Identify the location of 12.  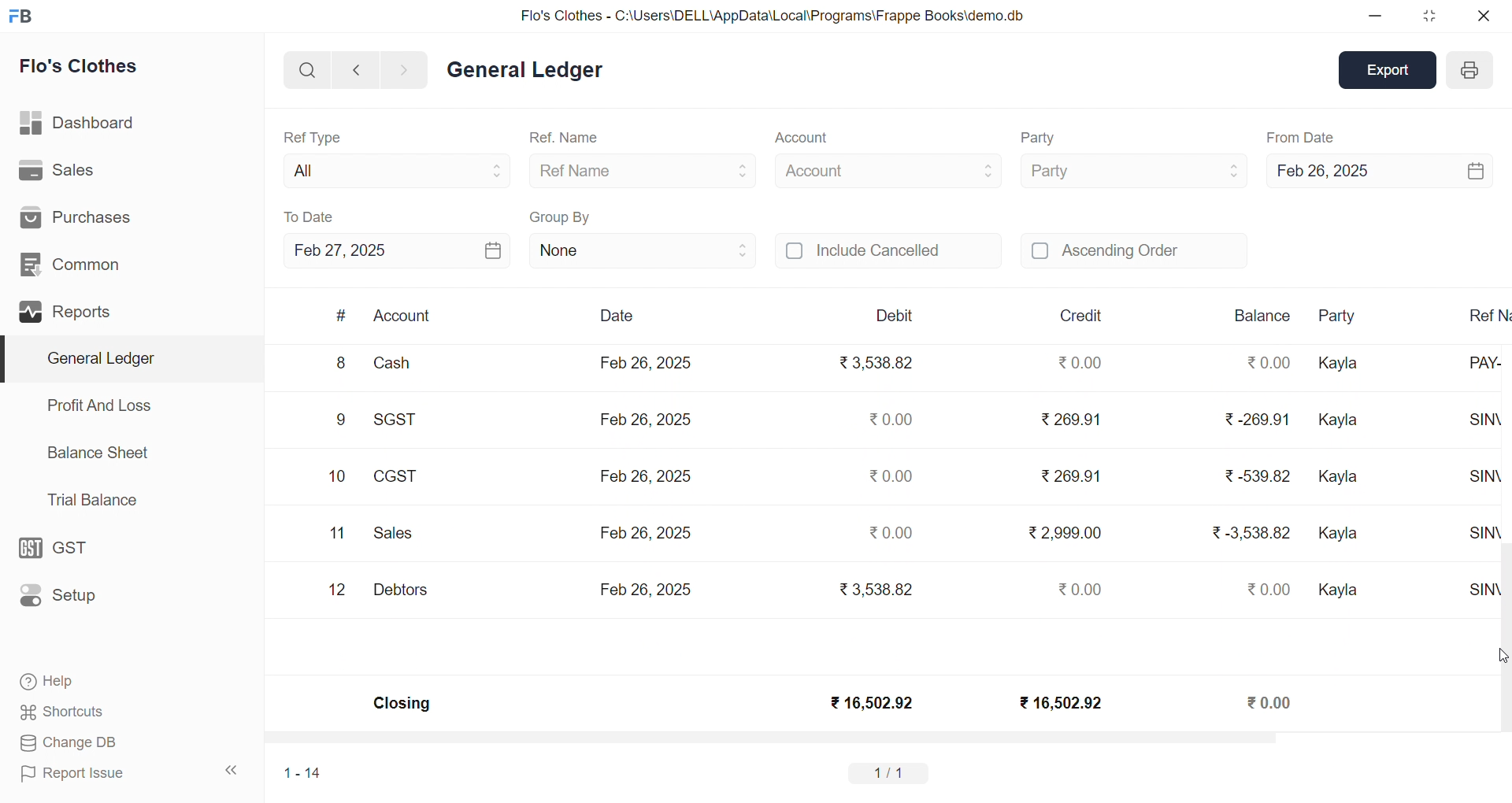
(339, 590).